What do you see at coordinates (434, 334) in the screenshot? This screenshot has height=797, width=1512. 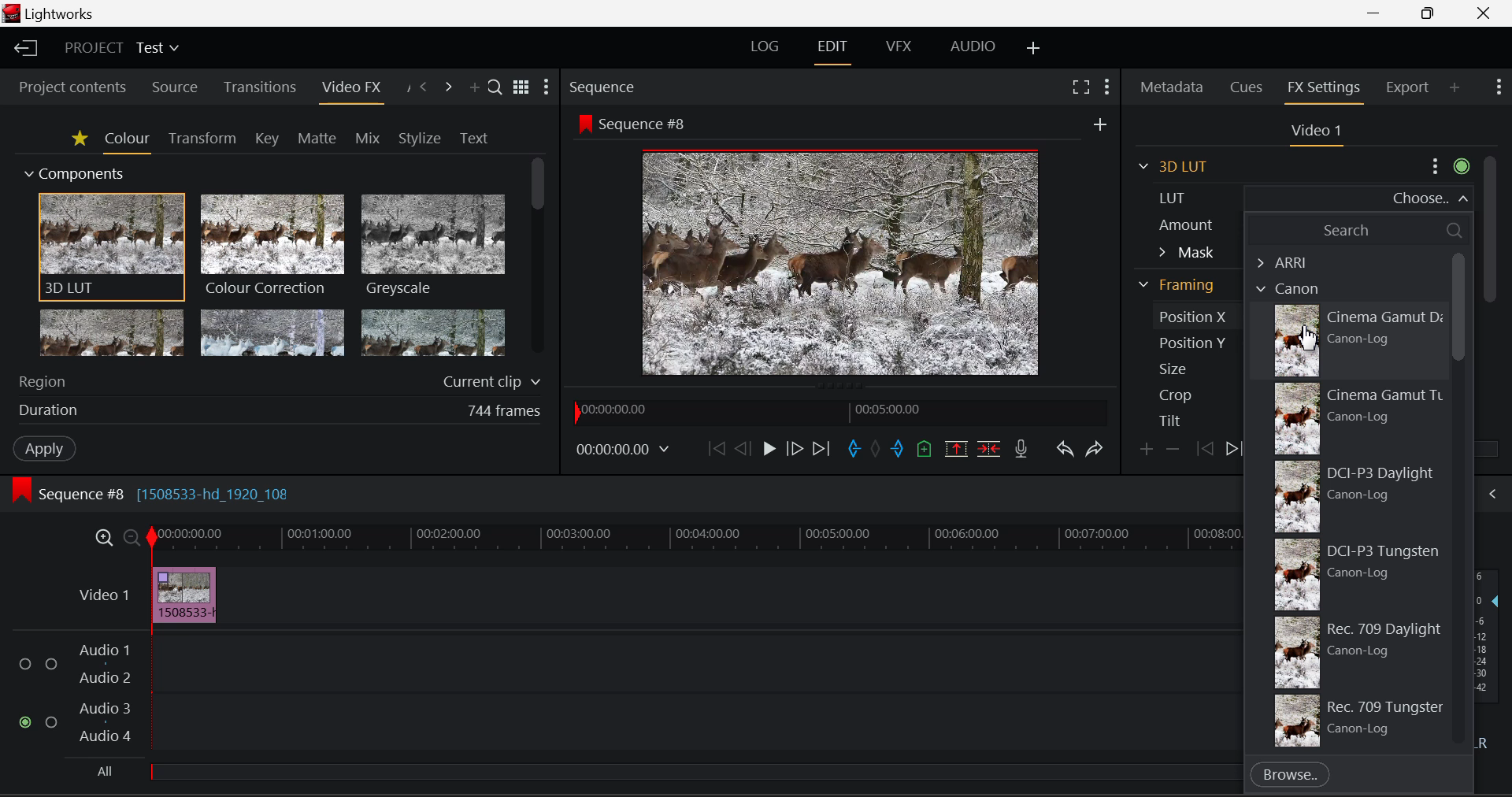 I see `Posterize` at bounding box center [434, 334].